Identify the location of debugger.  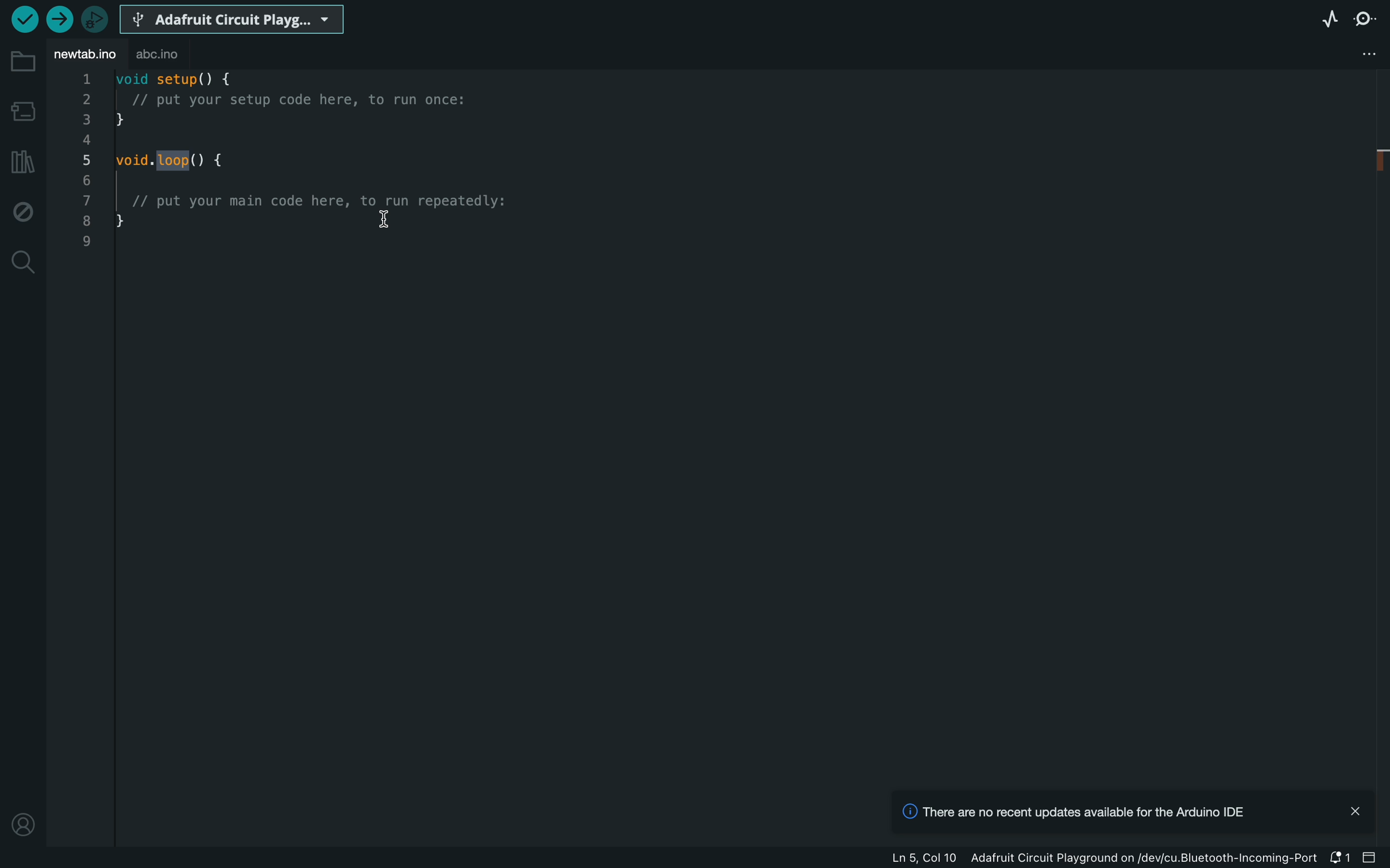
(94, 20).